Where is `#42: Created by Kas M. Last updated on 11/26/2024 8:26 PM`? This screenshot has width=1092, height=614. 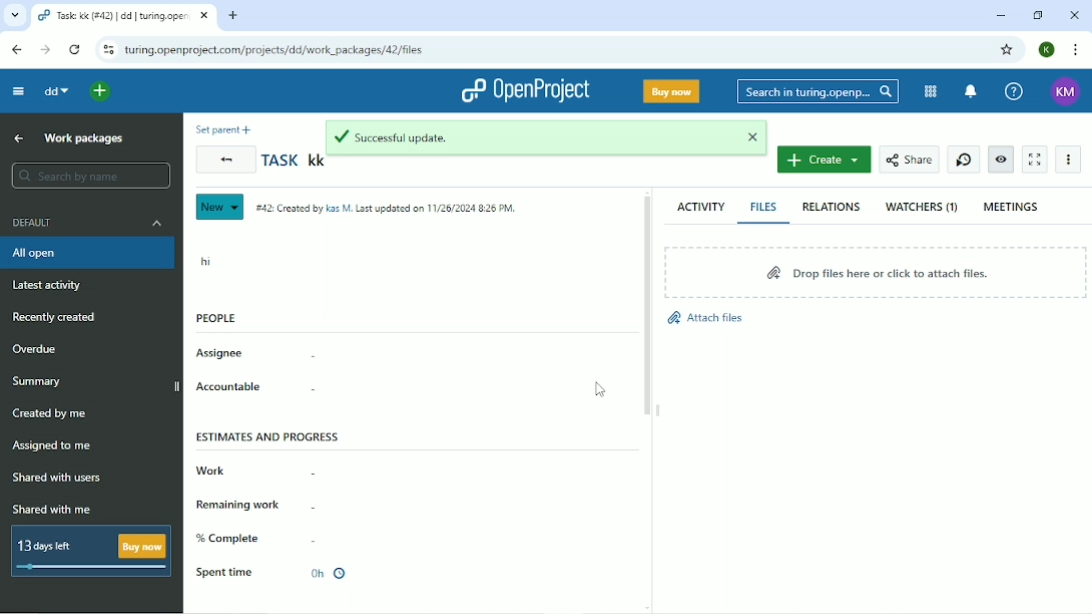
#42: Created by Kas M. Last updated on 11/26/2024 8:26 PM is located at coordinates (388, 208).